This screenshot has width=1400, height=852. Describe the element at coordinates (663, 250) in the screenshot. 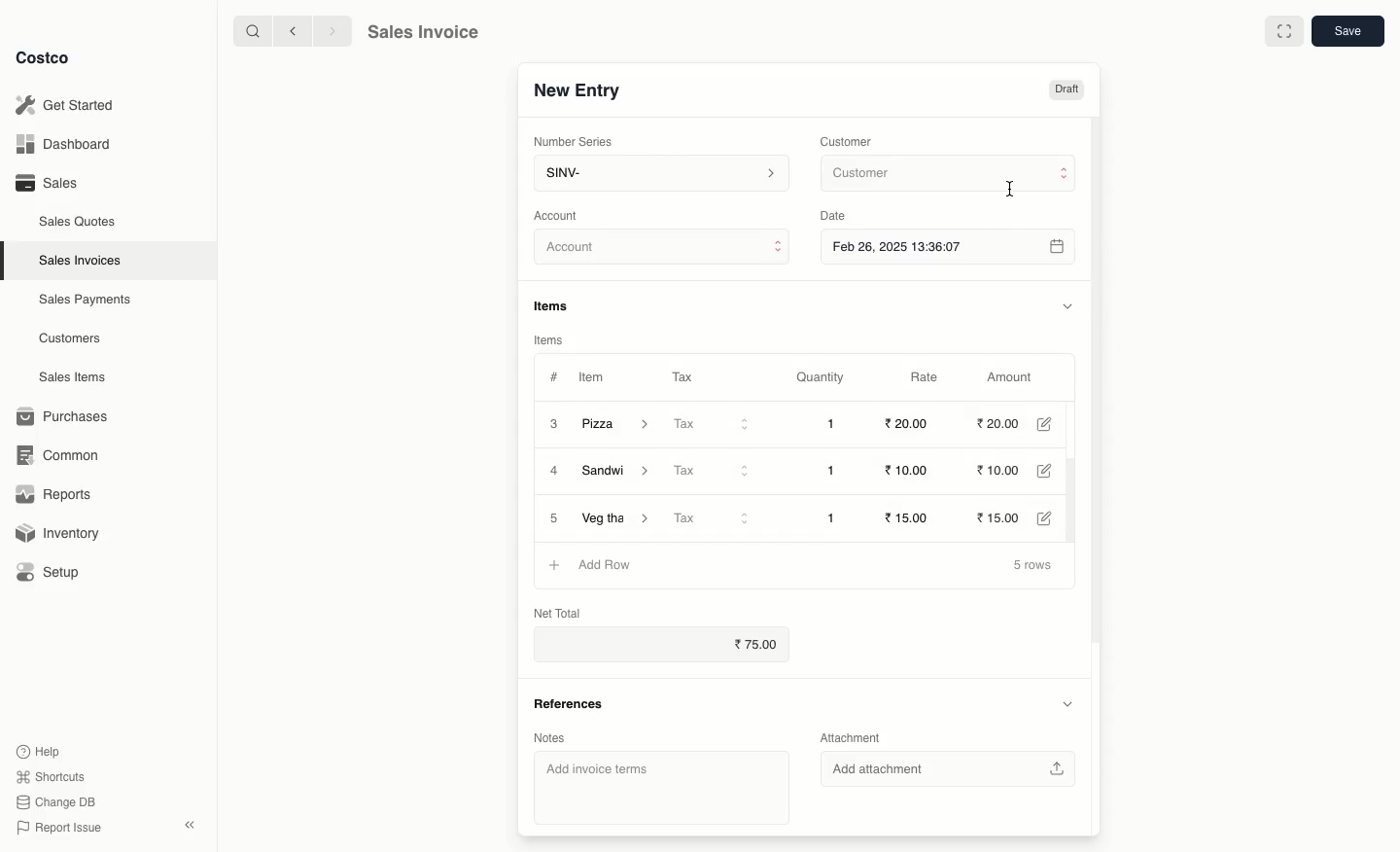

I see `Account` at that location.